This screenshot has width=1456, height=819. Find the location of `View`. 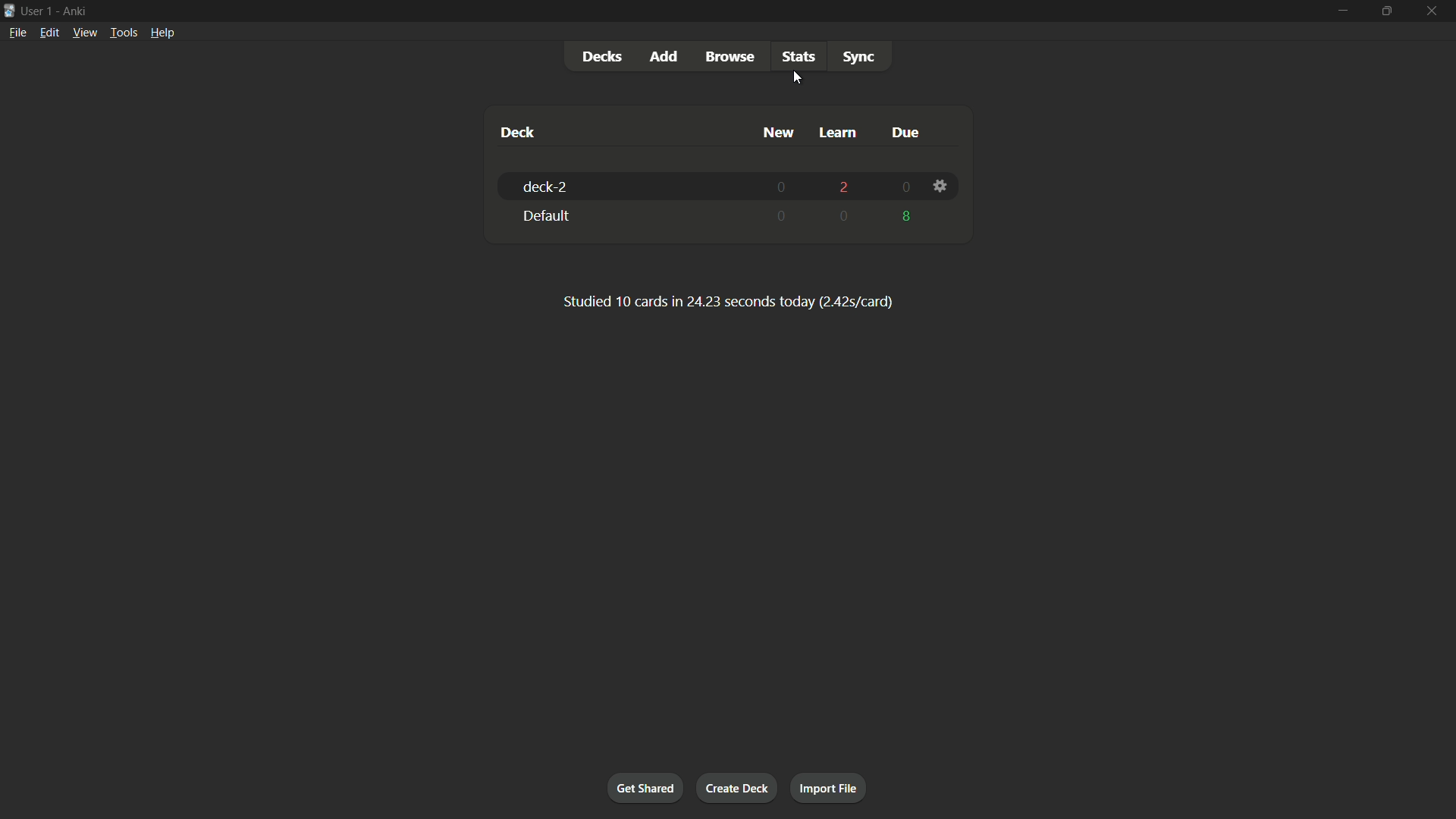

View is located at coordinates (85, 36).